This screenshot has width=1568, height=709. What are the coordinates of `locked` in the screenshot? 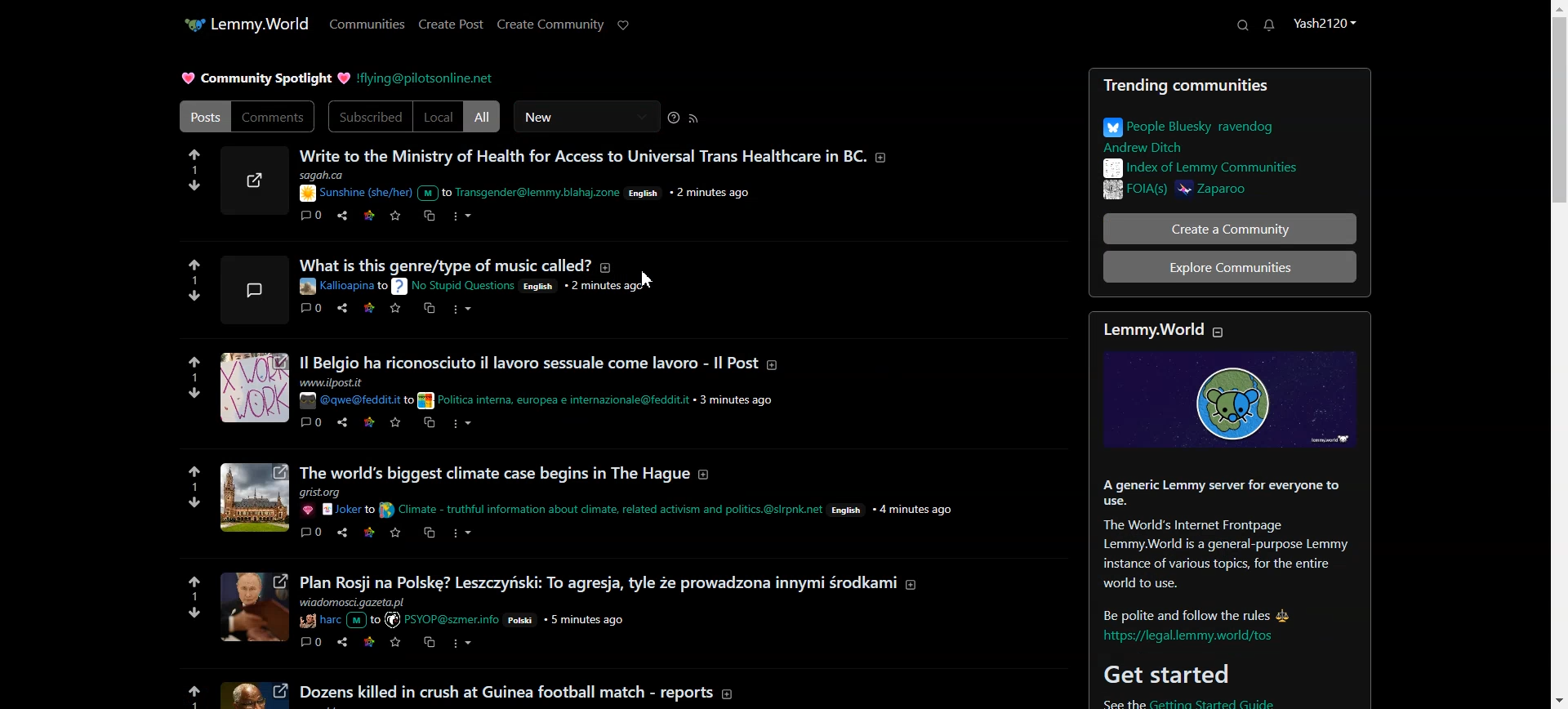 It's located at (937, 268).